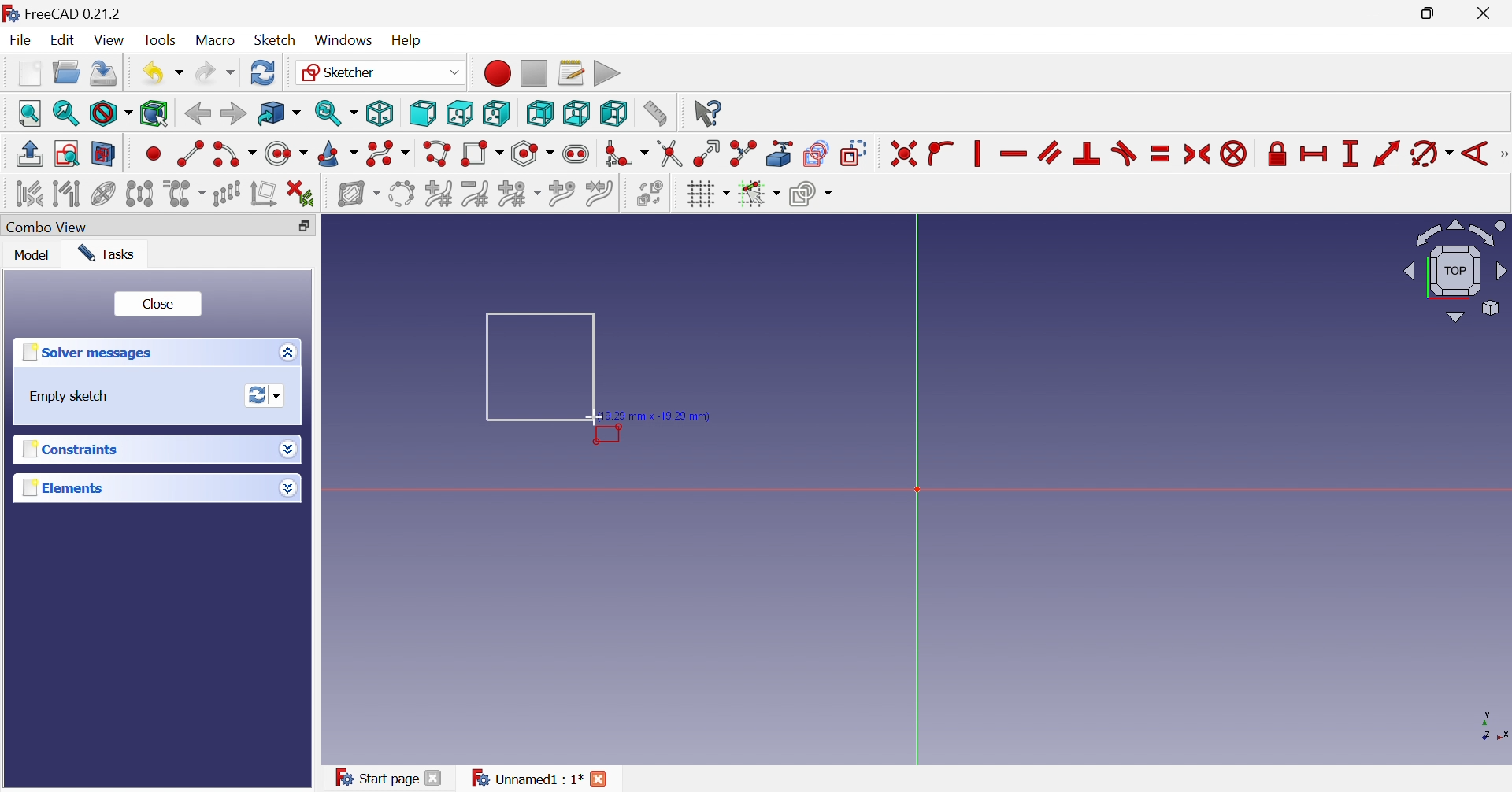 Image resolution: width=1512 pixels, height=792 pixels. What do you see at coordinates (190, 152) in the screenshot?
I see `Create line` at bounding box center [190, 152].